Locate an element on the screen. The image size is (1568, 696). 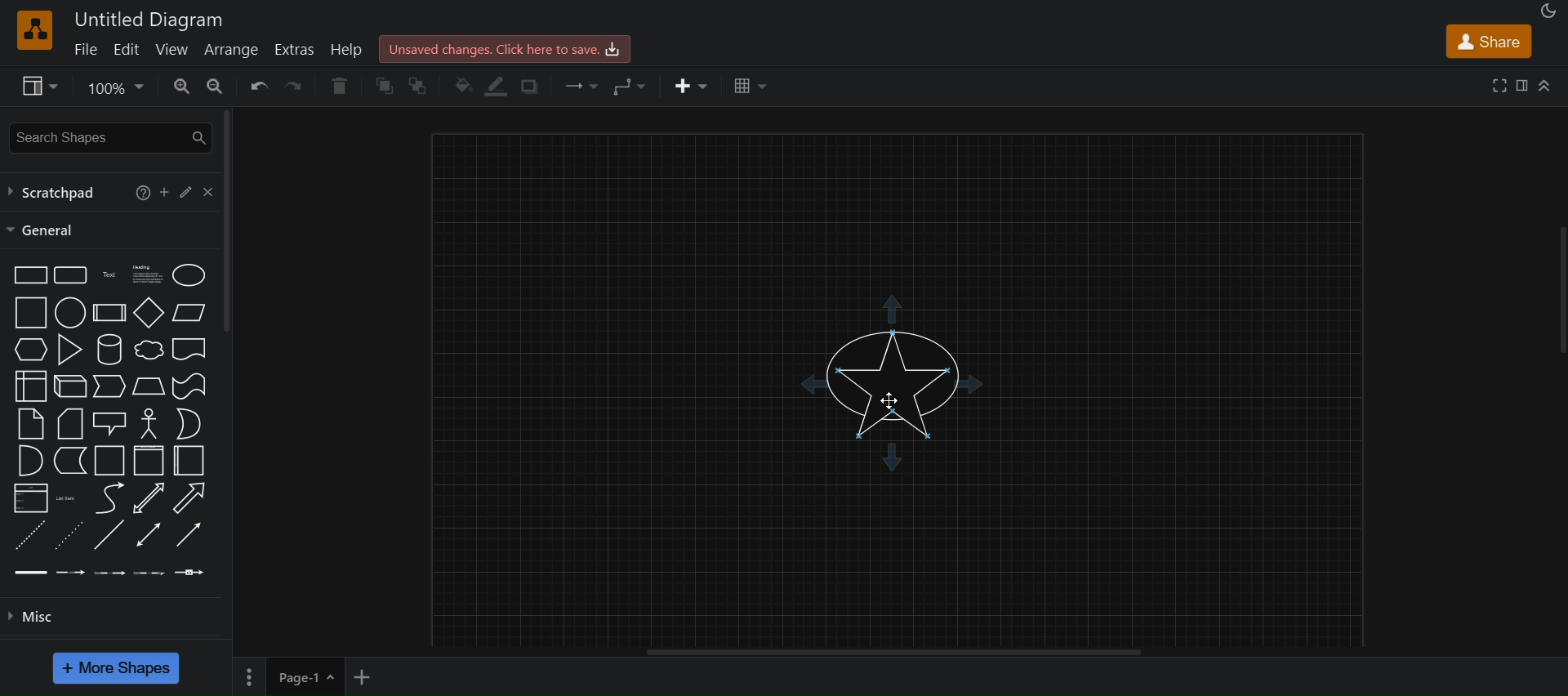
waypoints is located at coordinates (623, 85).